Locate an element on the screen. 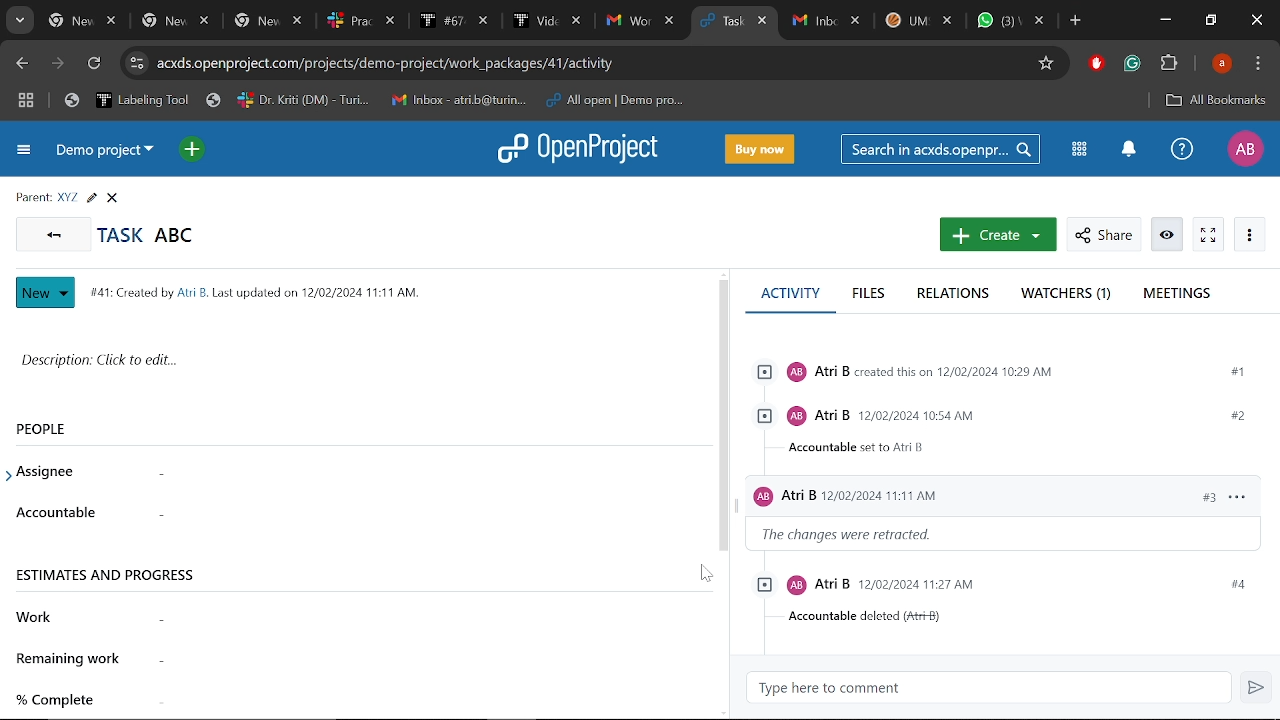 The height and width of the screenshot is (720, 1280). Task name is located at coordinates (146, 235).